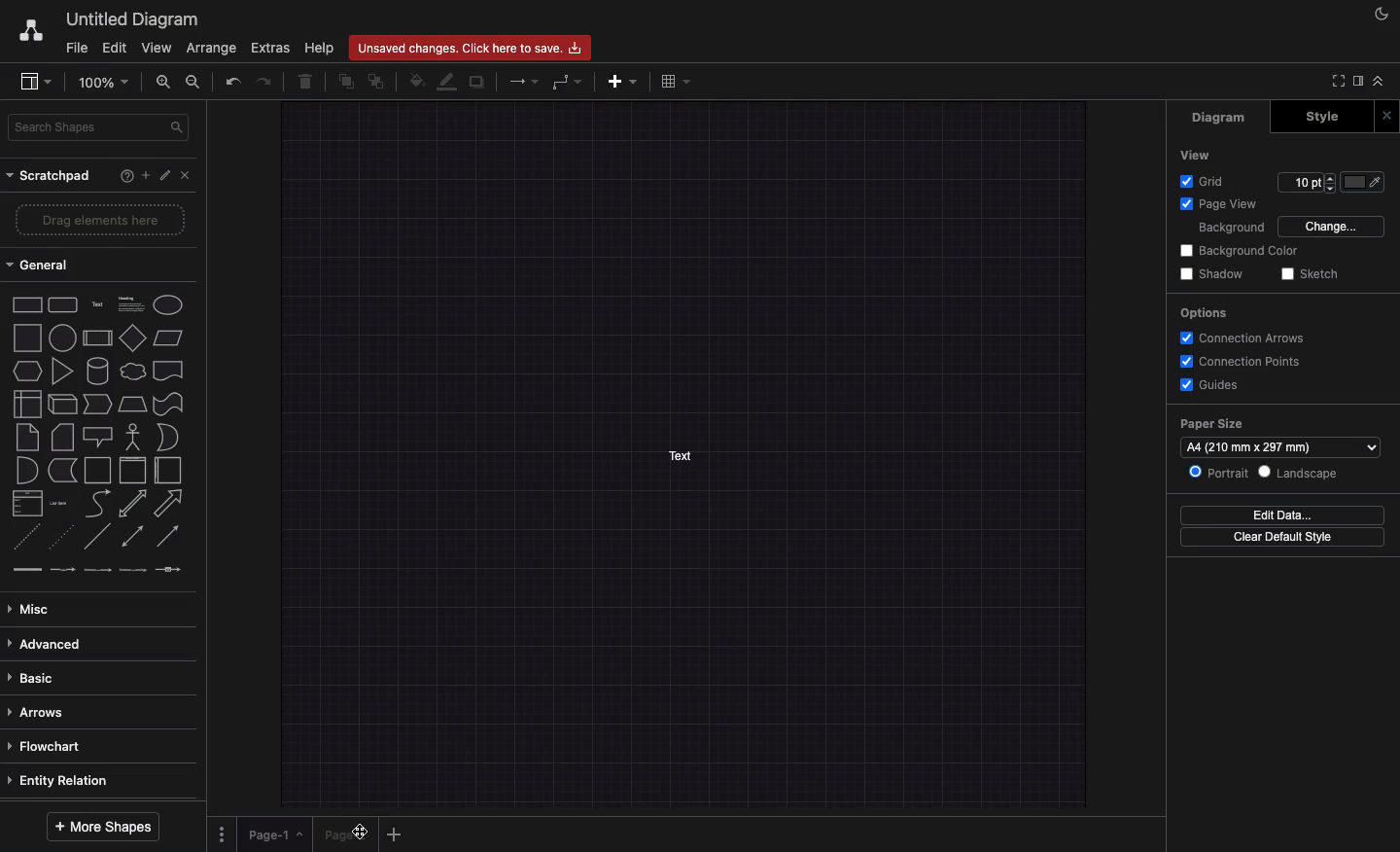 This screenshot has height=852, width=1400. What do you see at coordinates (26, 29) in the screenshot?
I see `Draw.io` at bounding box center [26, 29].